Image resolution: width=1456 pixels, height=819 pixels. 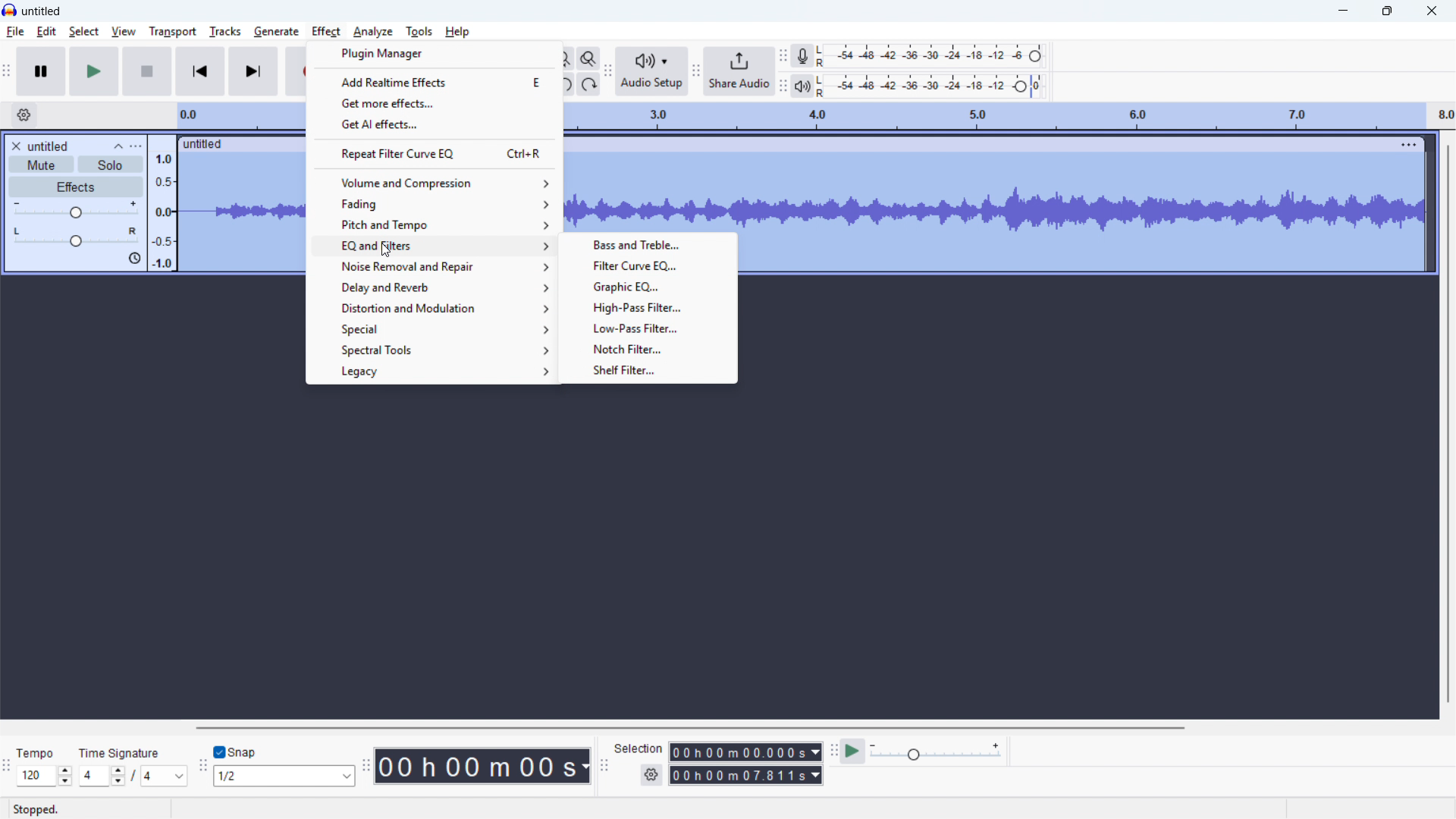 What do you see at coordinates (803, 56) in the screenshot?
I see `Recording metre ` at bounding box center [803, 56].